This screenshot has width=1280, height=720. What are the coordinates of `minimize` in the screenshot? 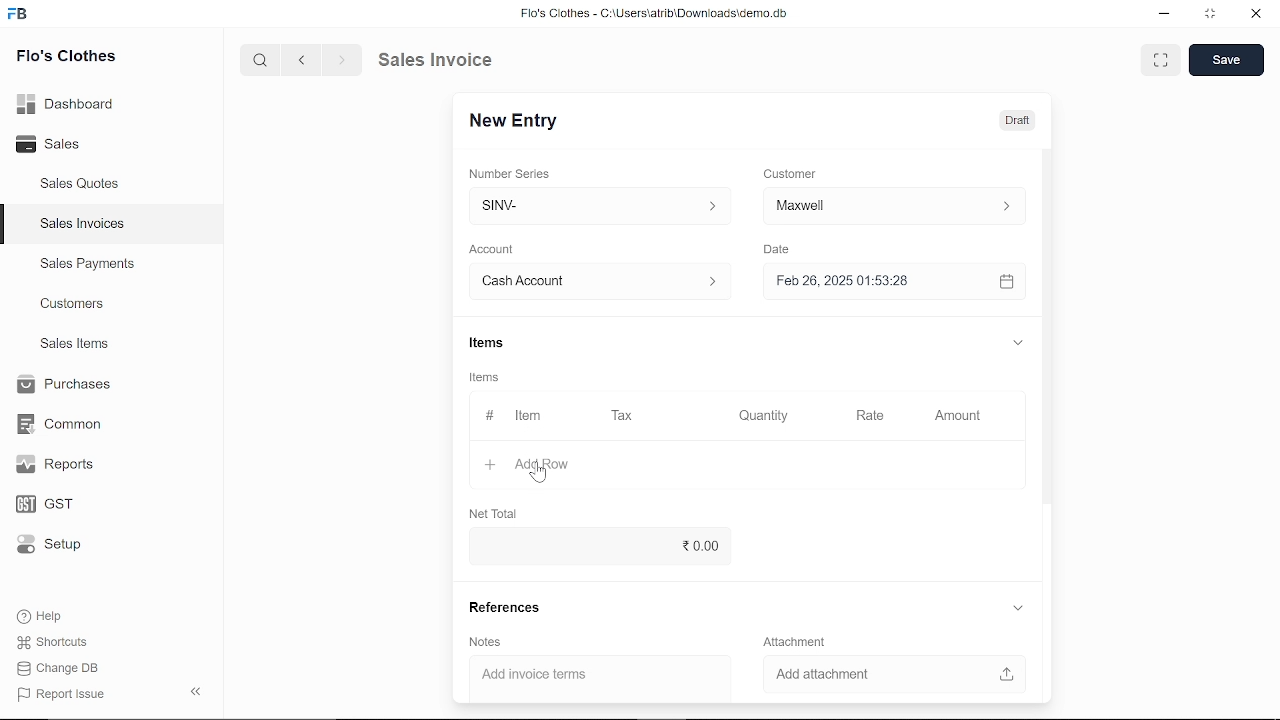 It's located at (1166, 16).